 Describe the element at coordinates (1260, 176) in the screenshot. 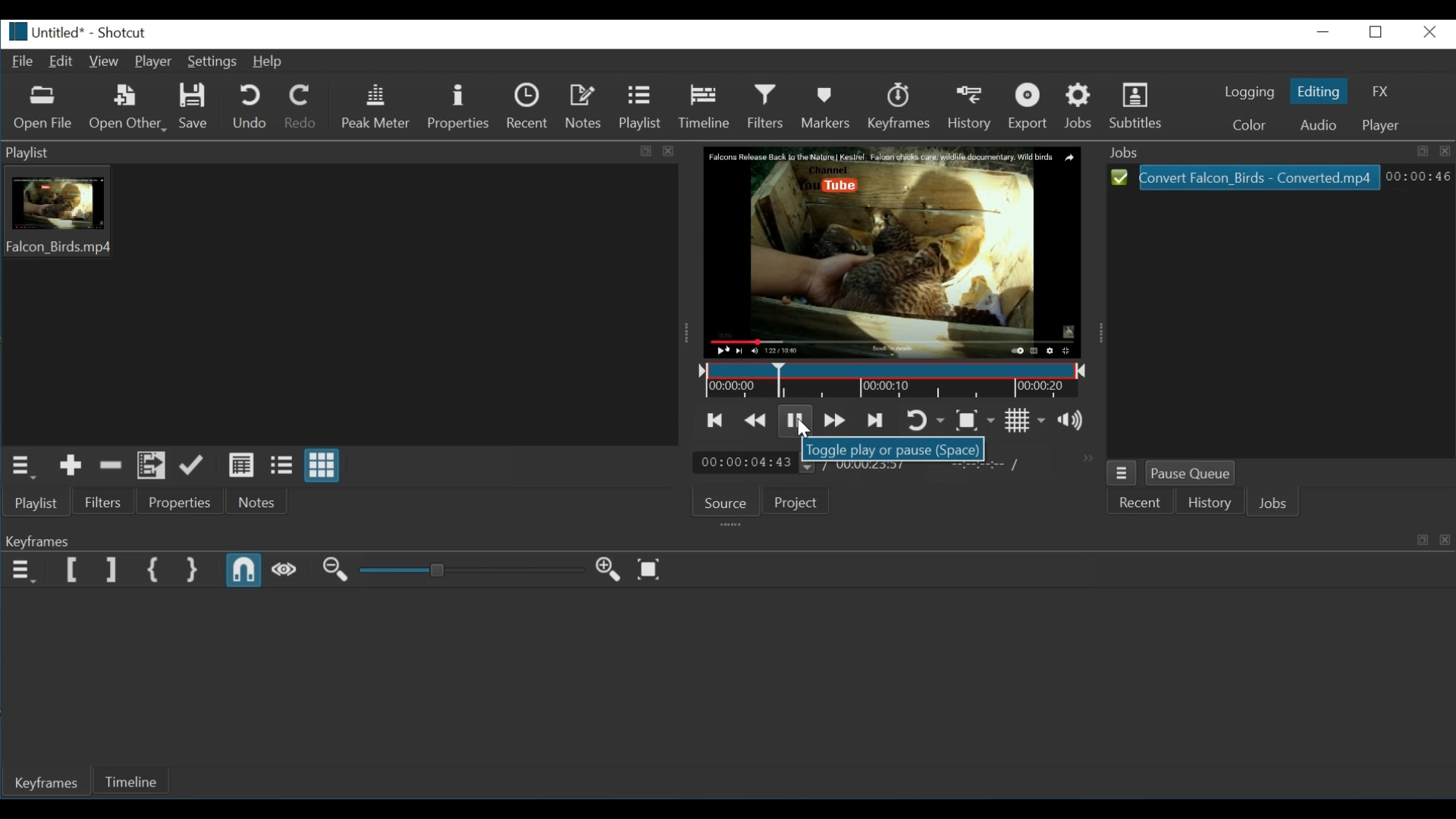

I see `Convert Falcon_Birds - Converted.mp4` at that location.